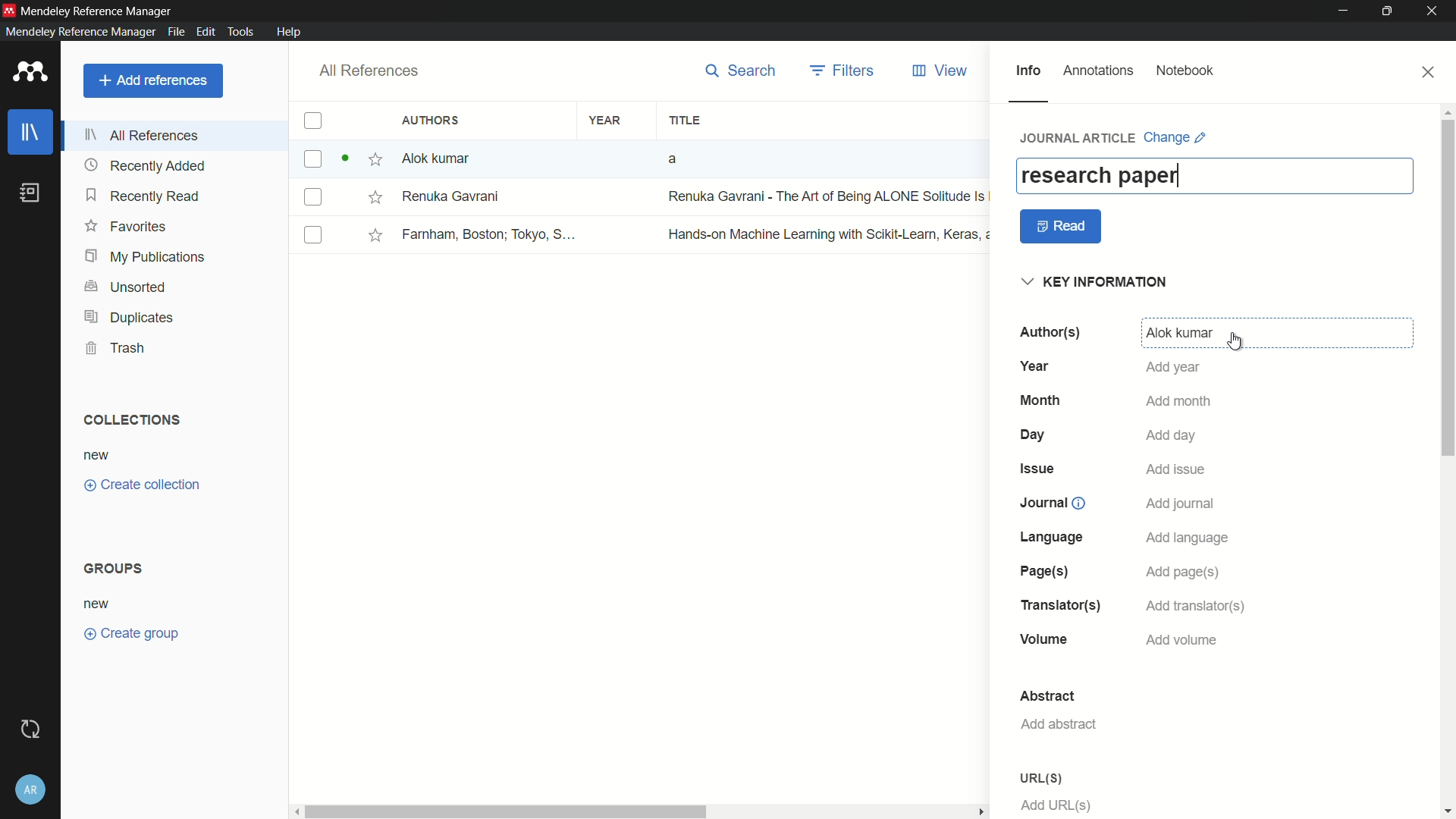  I want to click on add page, so click(1181, 573).